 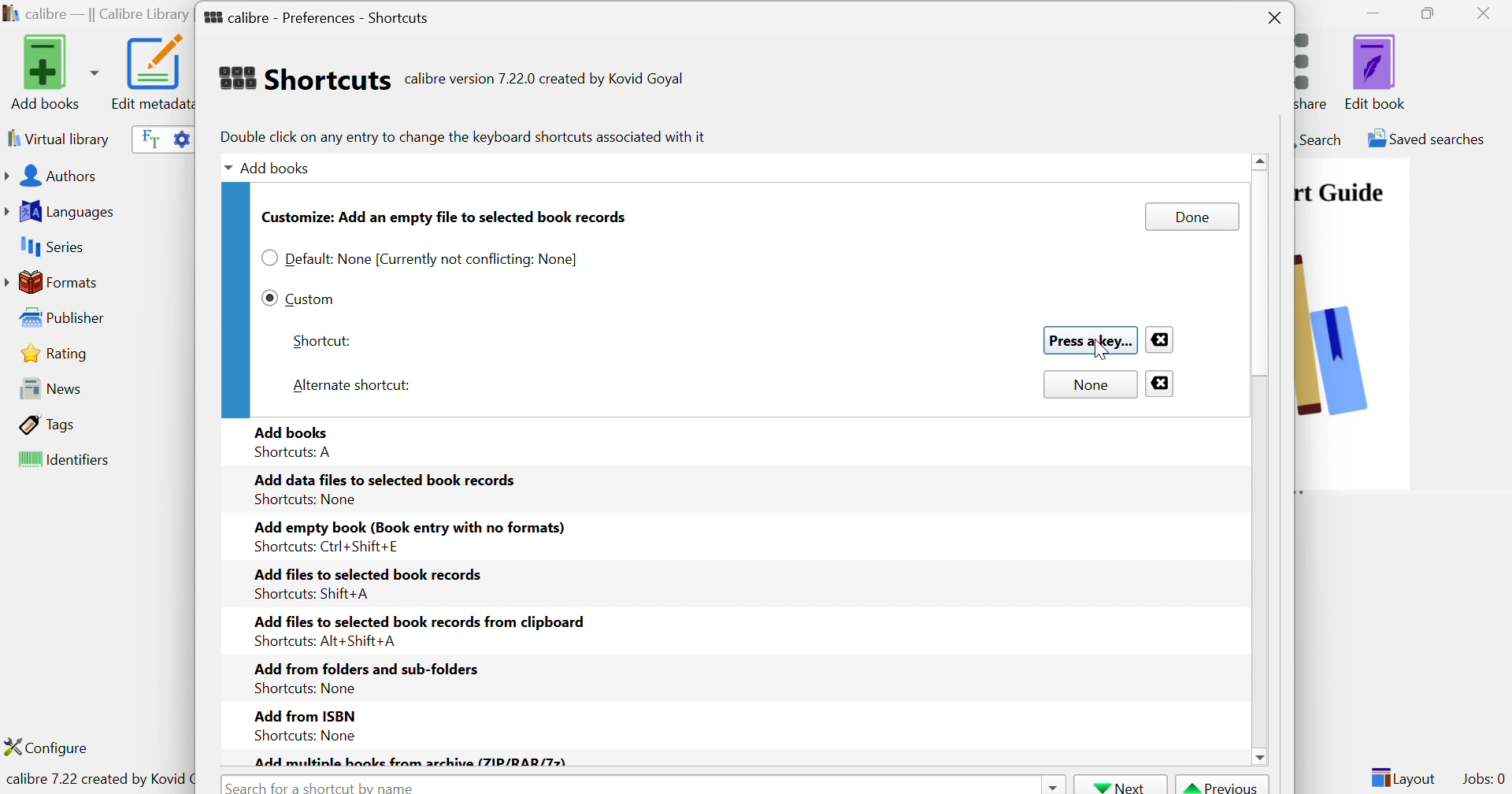 I want to click on Quick Start Guide, so click(x=1340, y=192).